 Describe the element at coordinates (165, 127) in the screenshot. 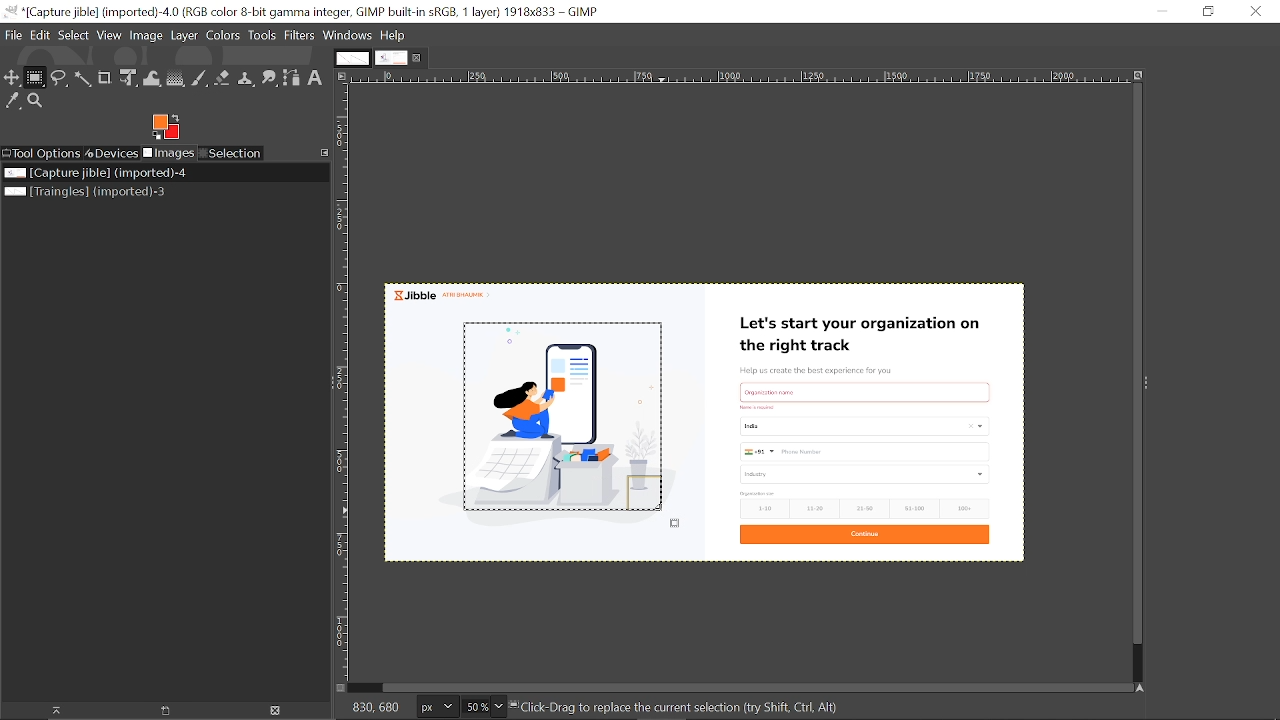

I see `The active foreground color` at that location.